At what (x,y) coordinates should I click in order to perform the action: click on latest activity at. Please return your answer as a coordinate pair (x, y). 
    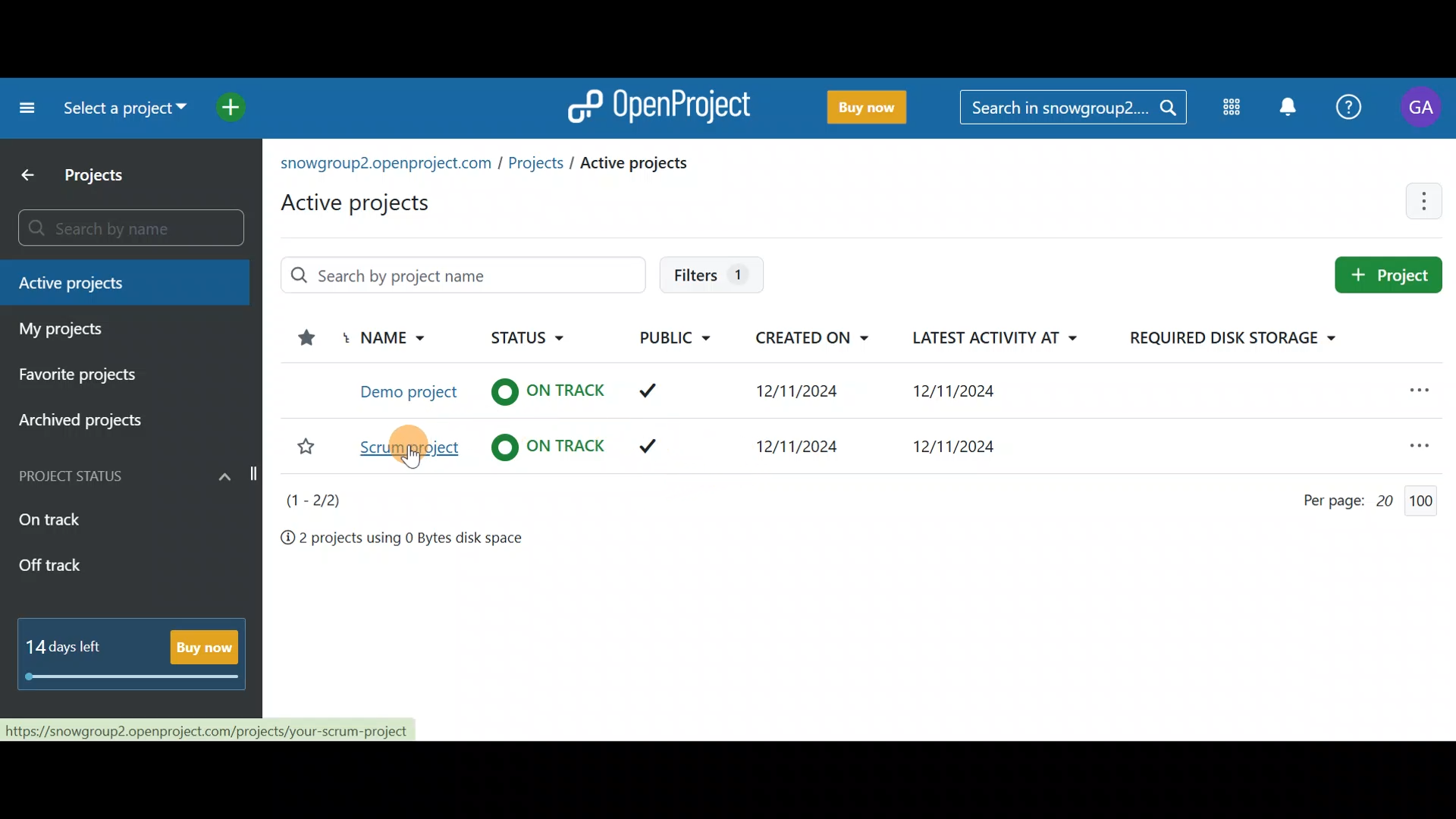
    Looking at the image, I should click on (959, 449).